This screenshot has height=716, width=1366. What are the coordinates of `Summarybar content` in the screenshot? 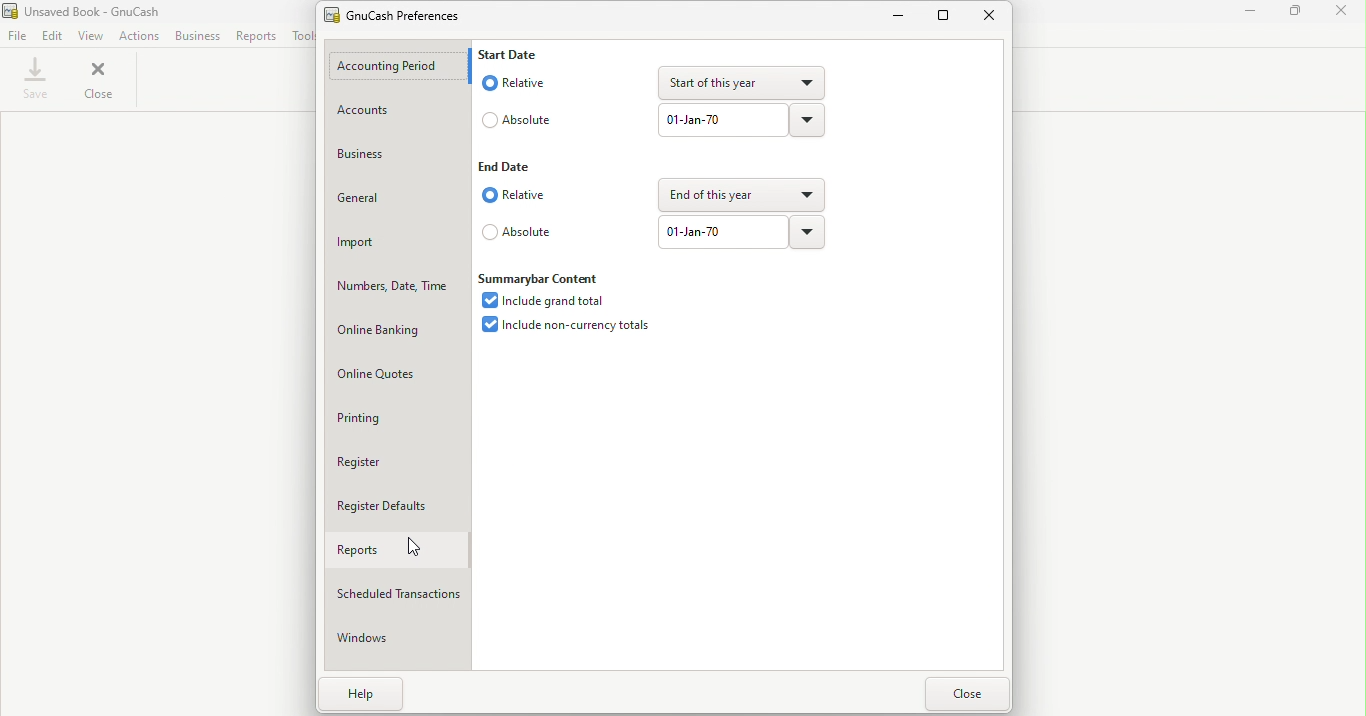 It's located at (541, 279).